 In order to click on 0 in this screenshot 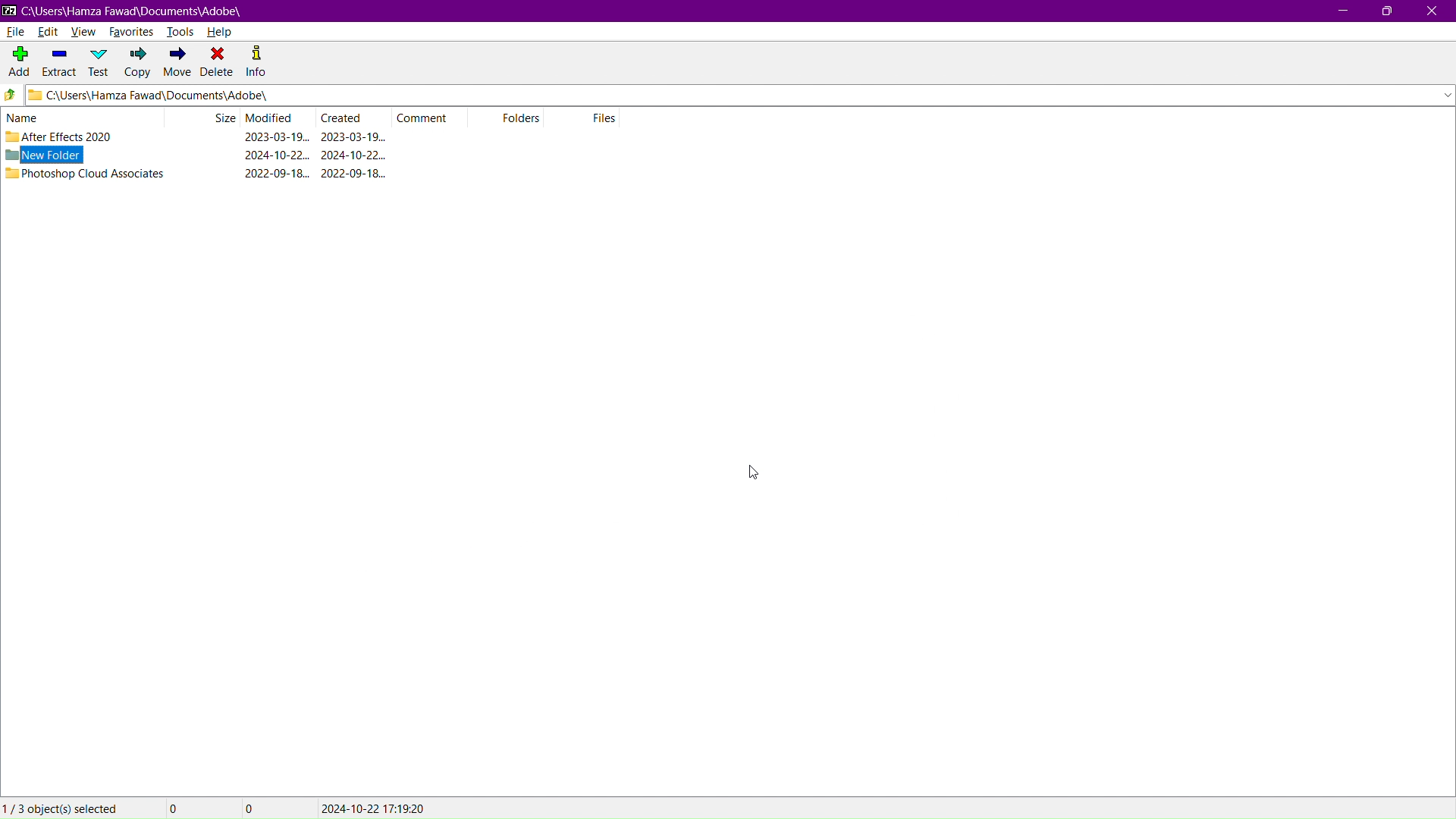, I will do `click(173, 807)`.